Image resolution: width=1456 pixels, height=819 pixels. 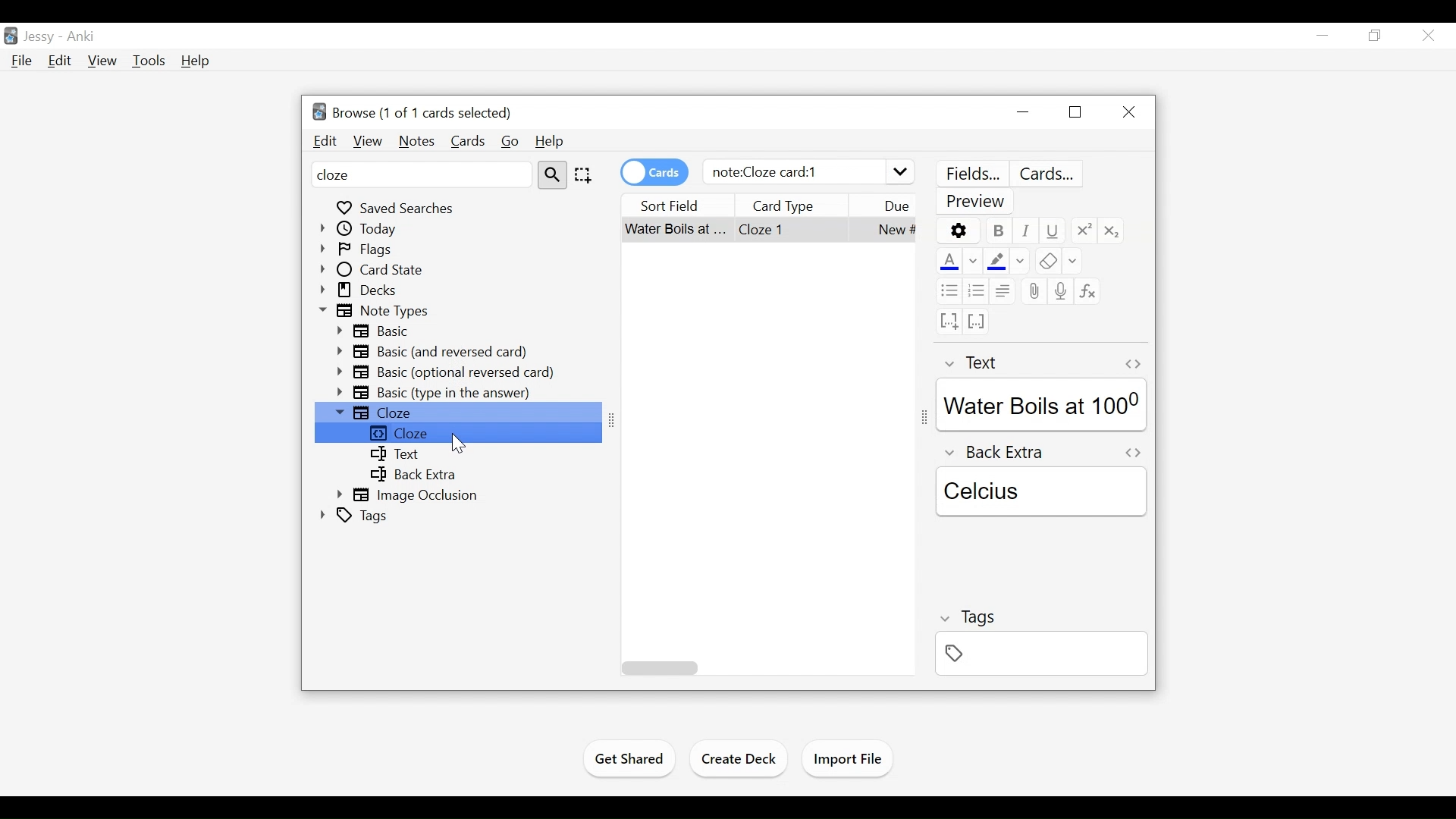 What do you see at coordinates (683, 206) in the screenshot?
I see `Sort Fields` at bounding box center [683, 206].